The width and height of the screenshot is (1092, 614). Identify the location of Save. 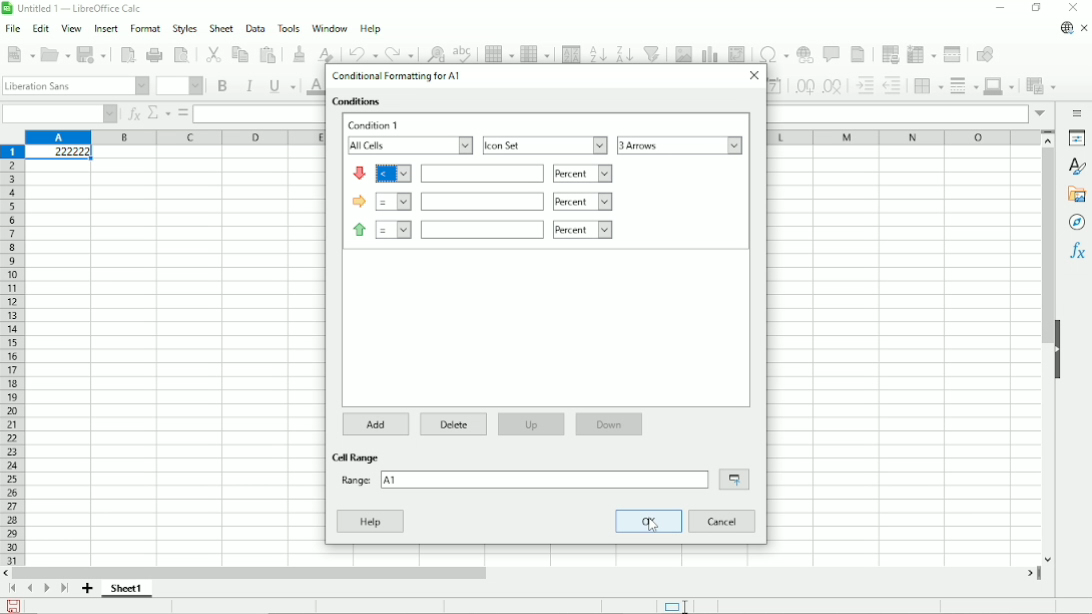
(94, 53).